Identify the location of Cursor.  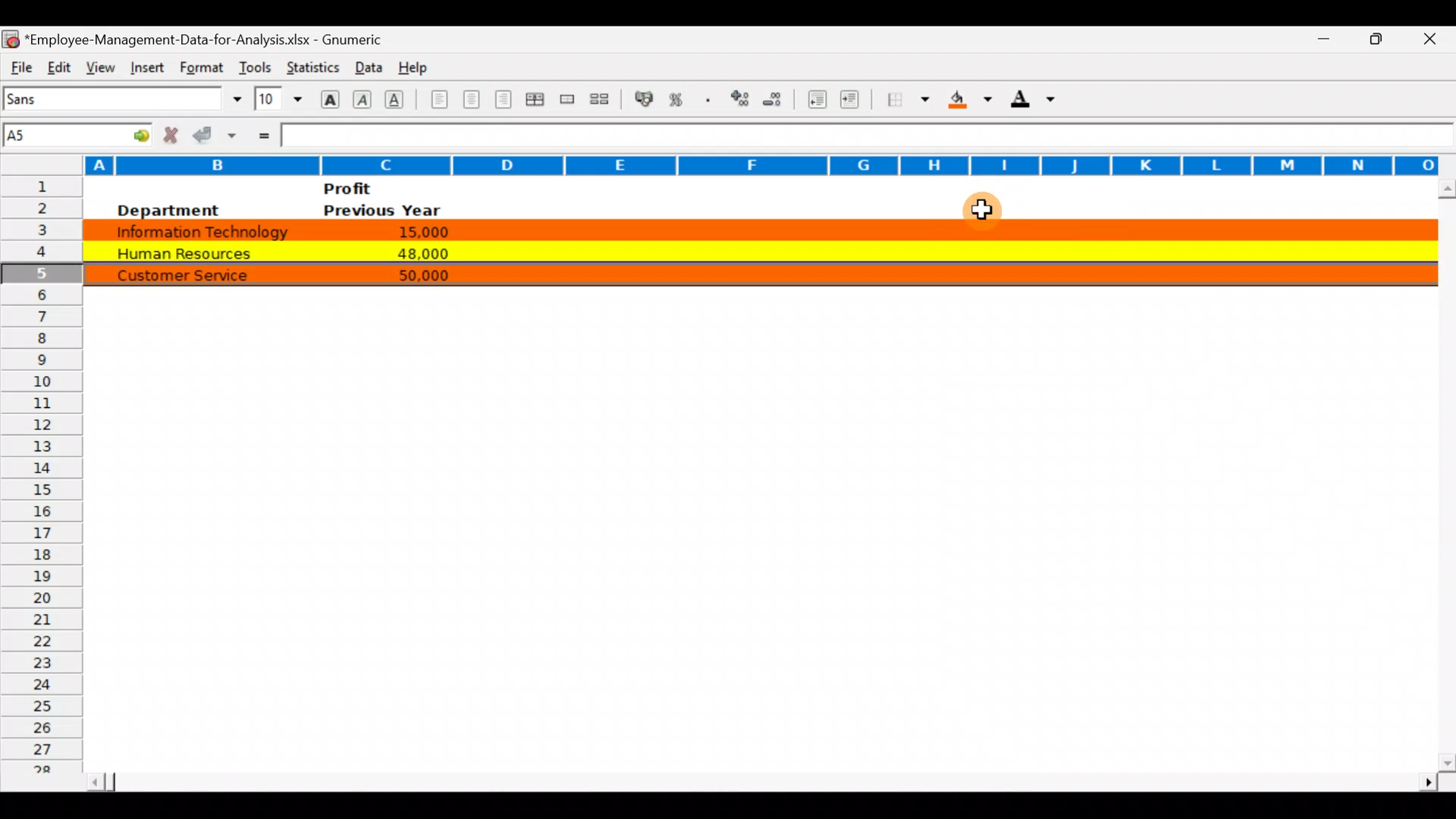
(986, 215).